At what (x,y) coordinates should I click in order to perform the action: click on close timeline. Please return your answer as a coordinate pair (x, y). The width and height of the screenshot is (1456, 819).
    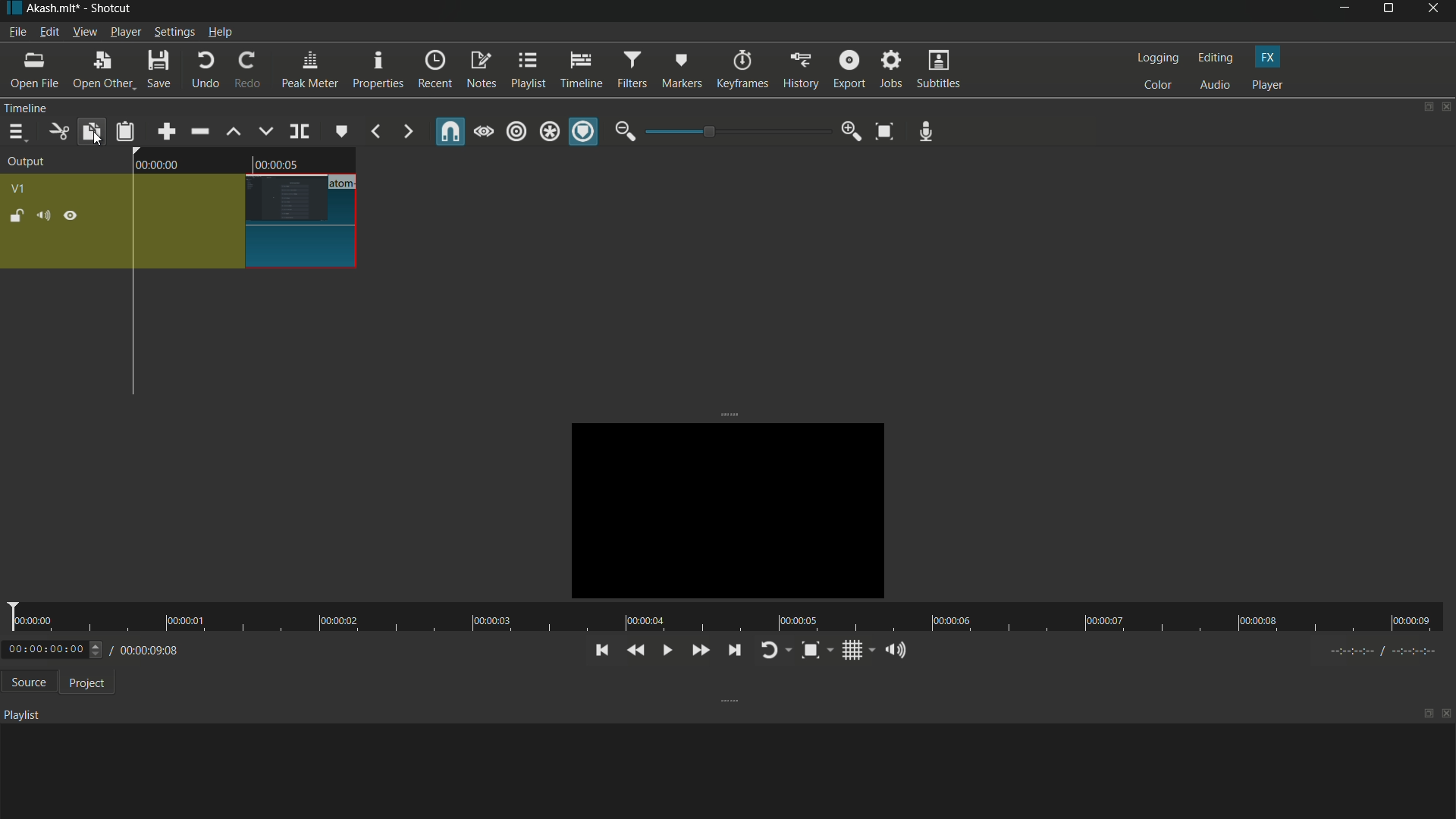
    Looking at the image, I should click on (1447, 107).